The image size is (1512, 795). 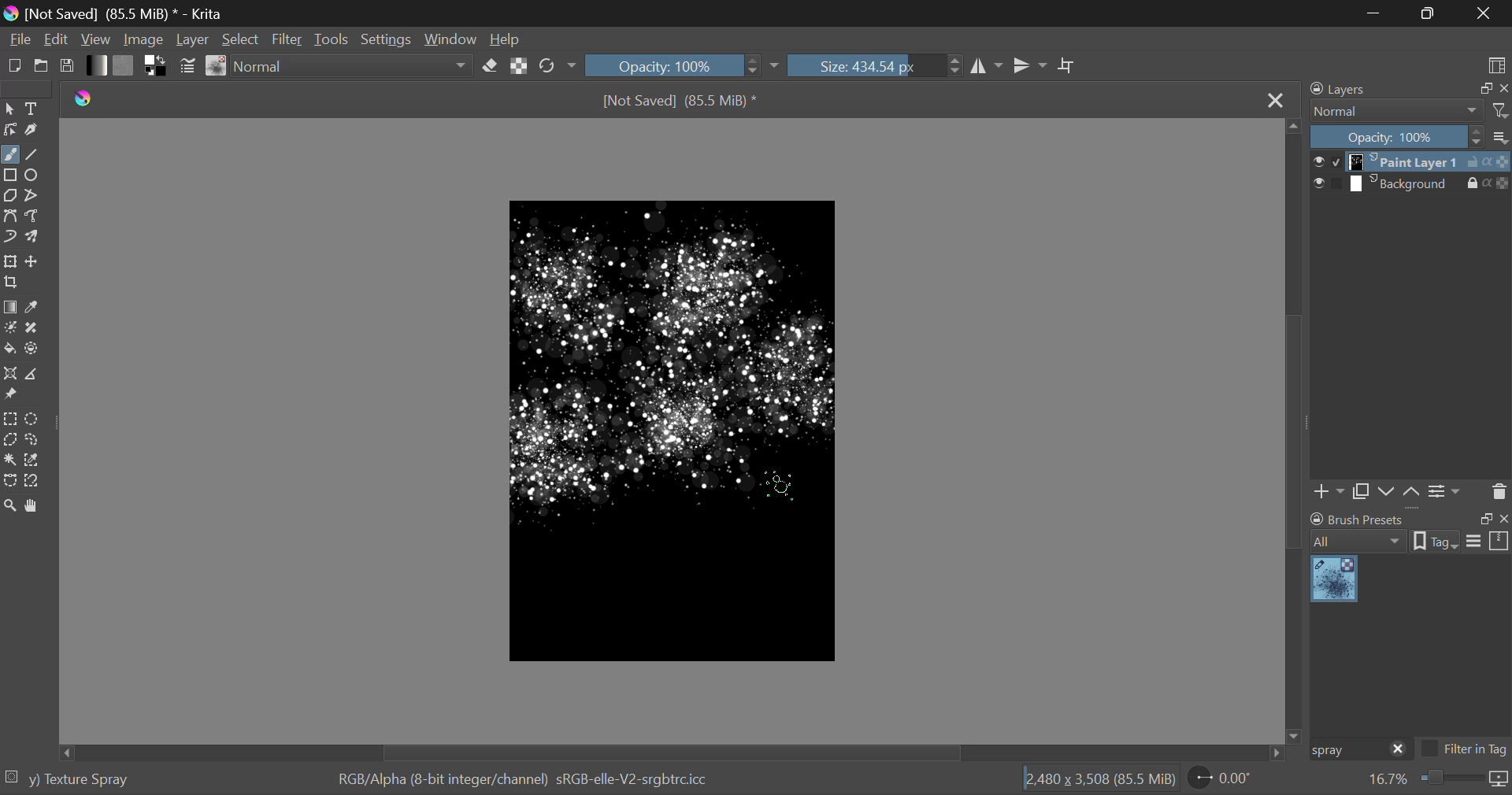 I want to click on page rotation, so click(x=1221, y=777).